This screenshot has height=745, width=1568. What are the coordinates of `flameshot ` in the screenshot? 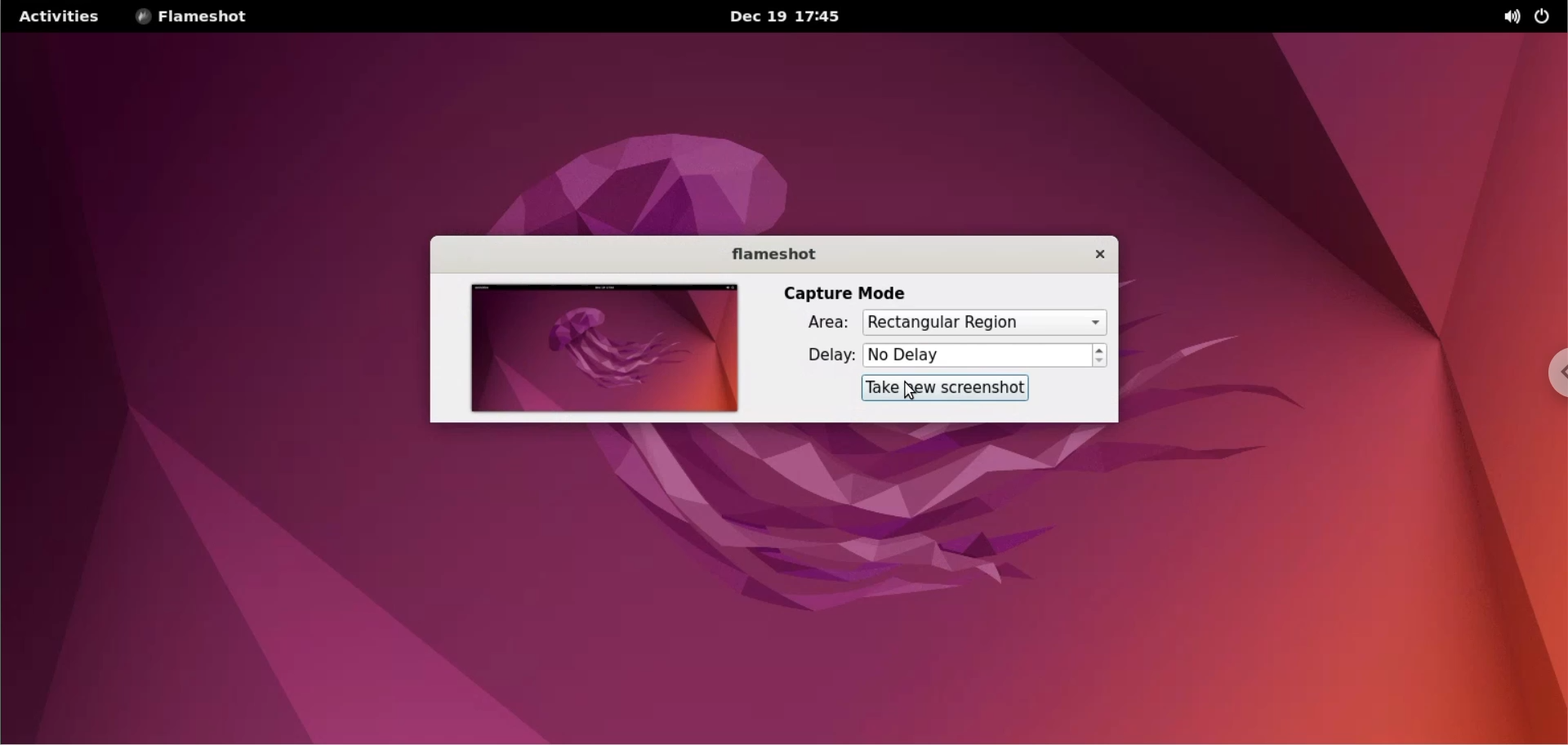 It's located at (778, 254).